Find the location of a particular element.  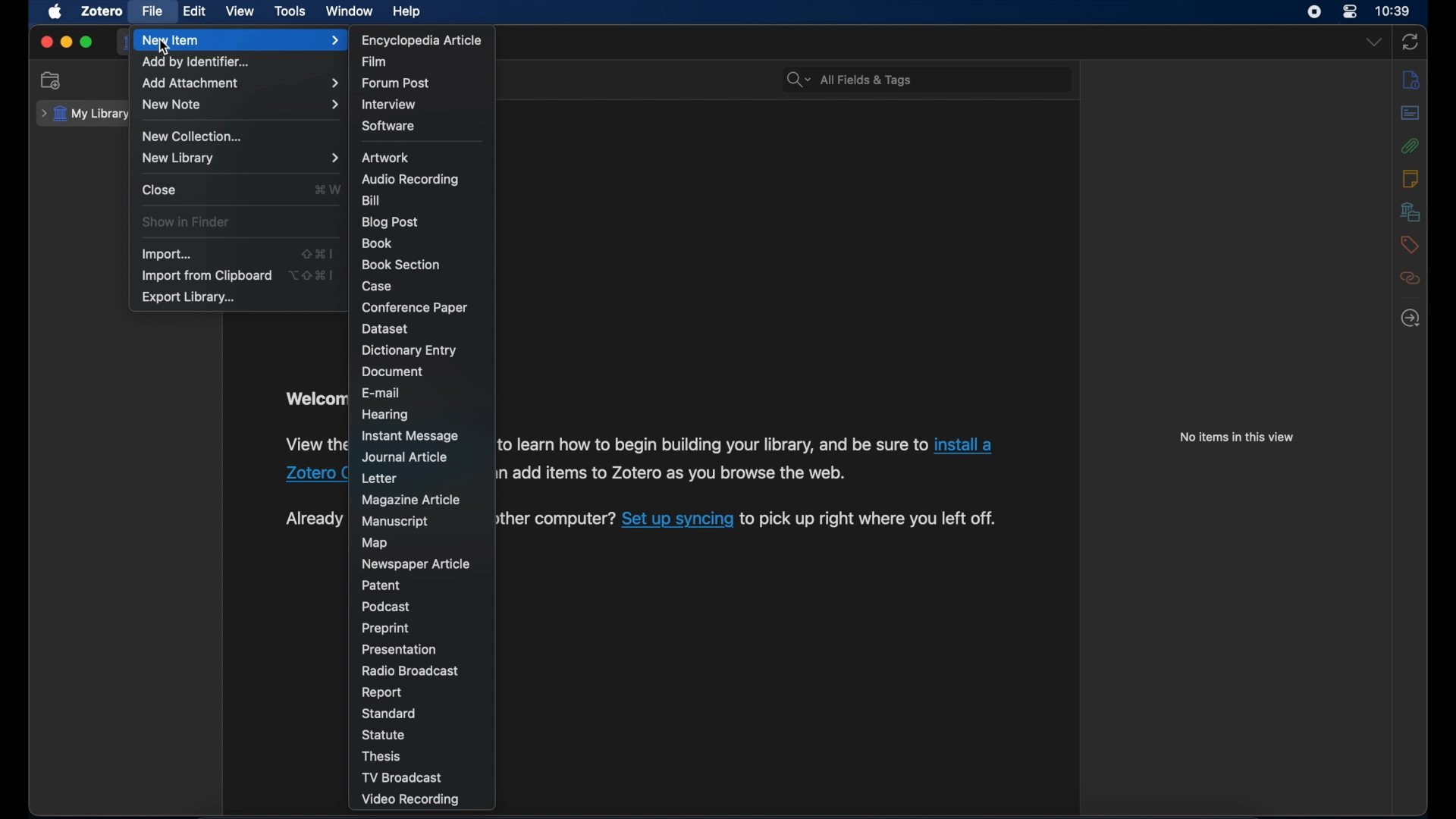

shortcut is located at coordinates (318, 255).